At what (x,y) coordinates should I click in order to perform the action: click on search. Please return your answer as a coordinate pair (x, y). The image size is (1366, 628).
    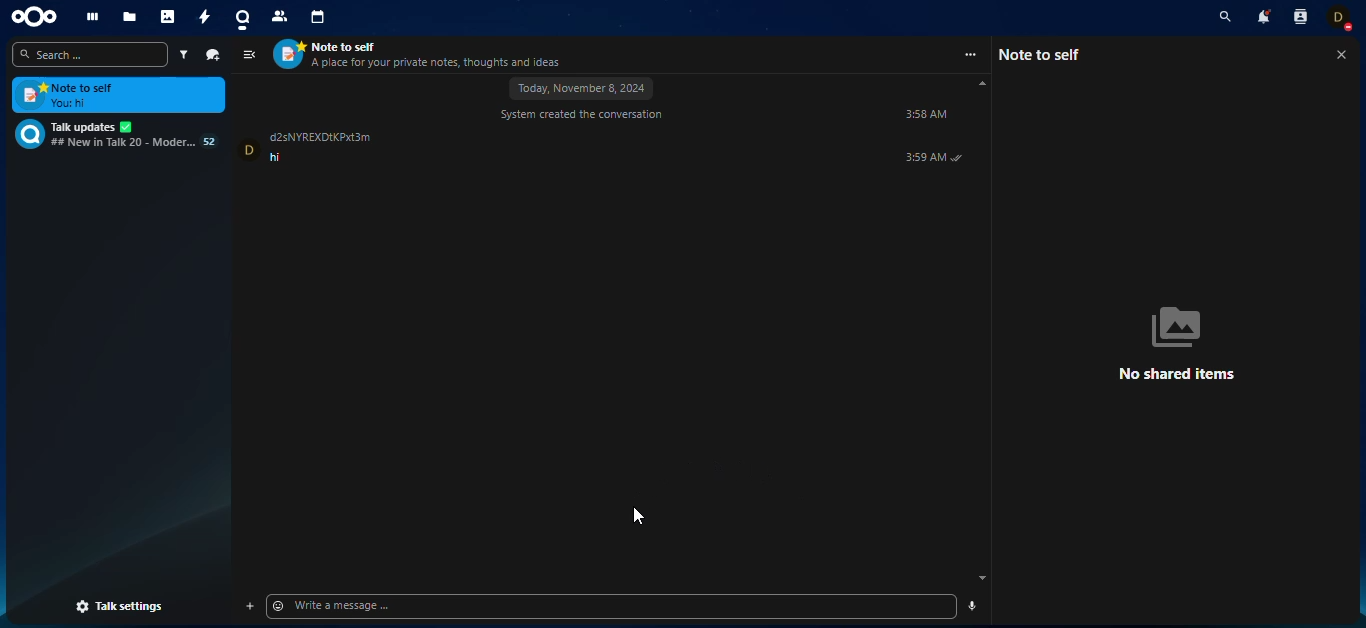
    Looking at the image, I should click on (91, 55).